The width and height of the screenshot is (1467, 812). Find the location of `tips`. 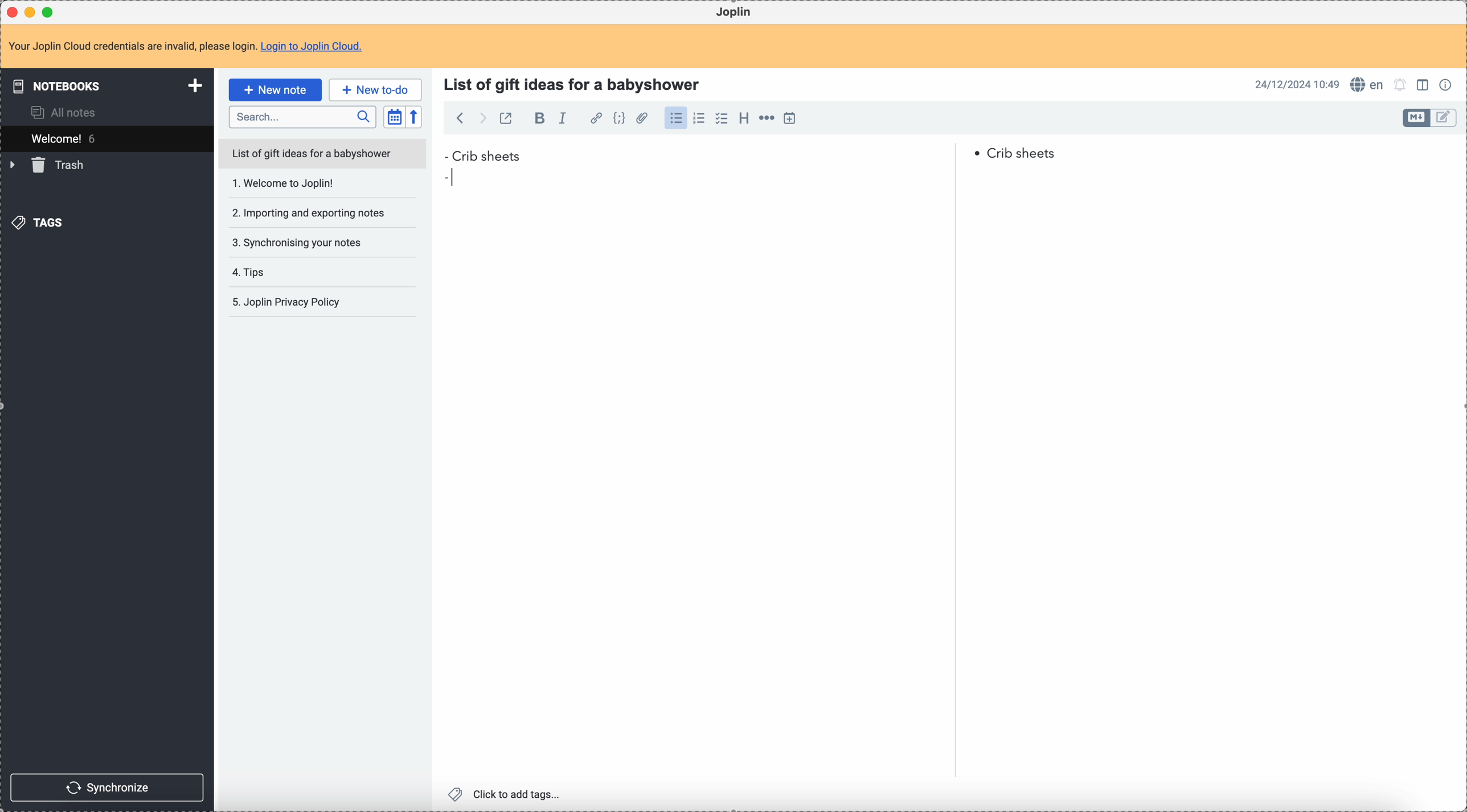

tips is located at coordinates (284, 272).